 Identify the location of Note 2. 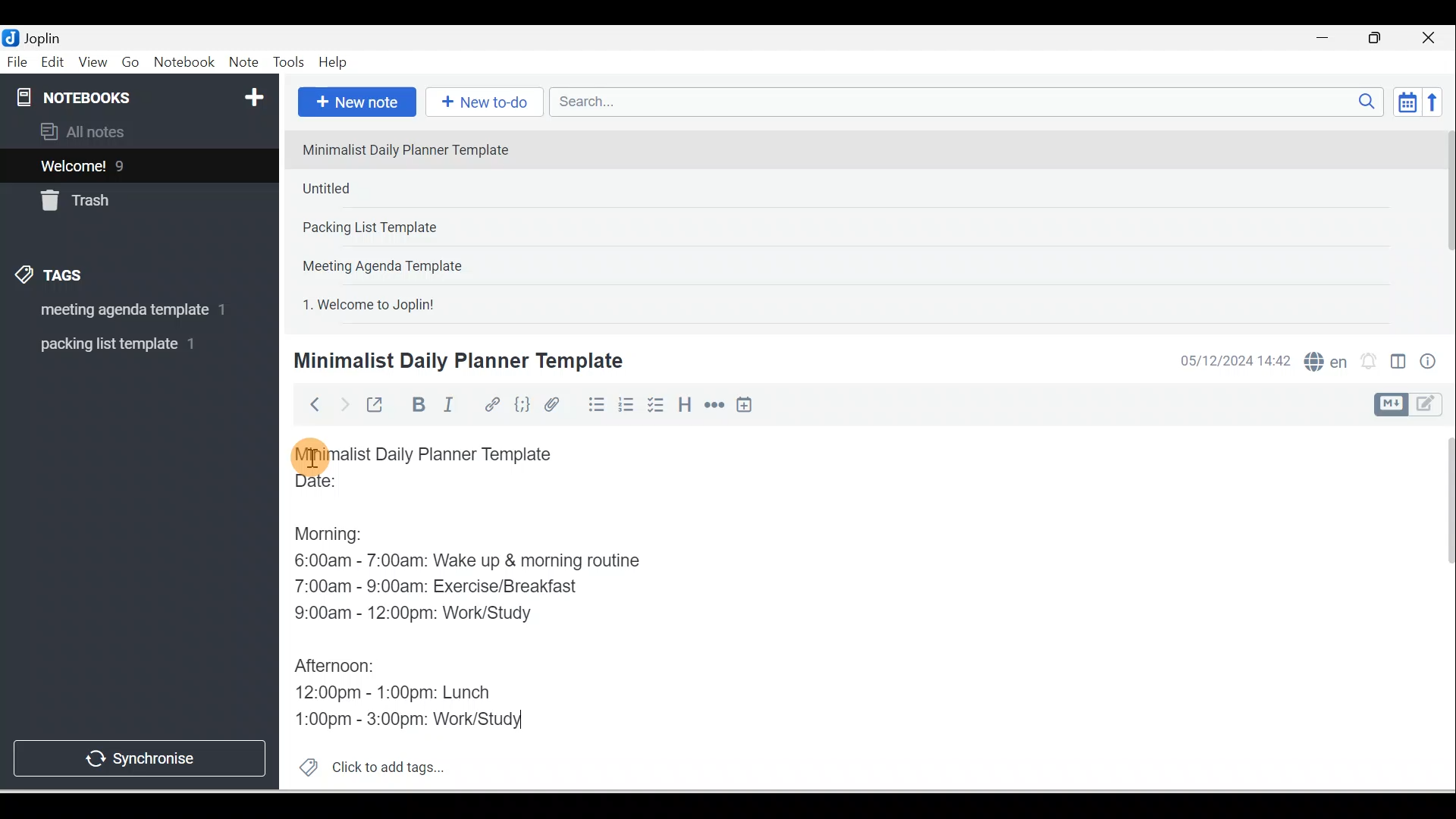
(401, 188).